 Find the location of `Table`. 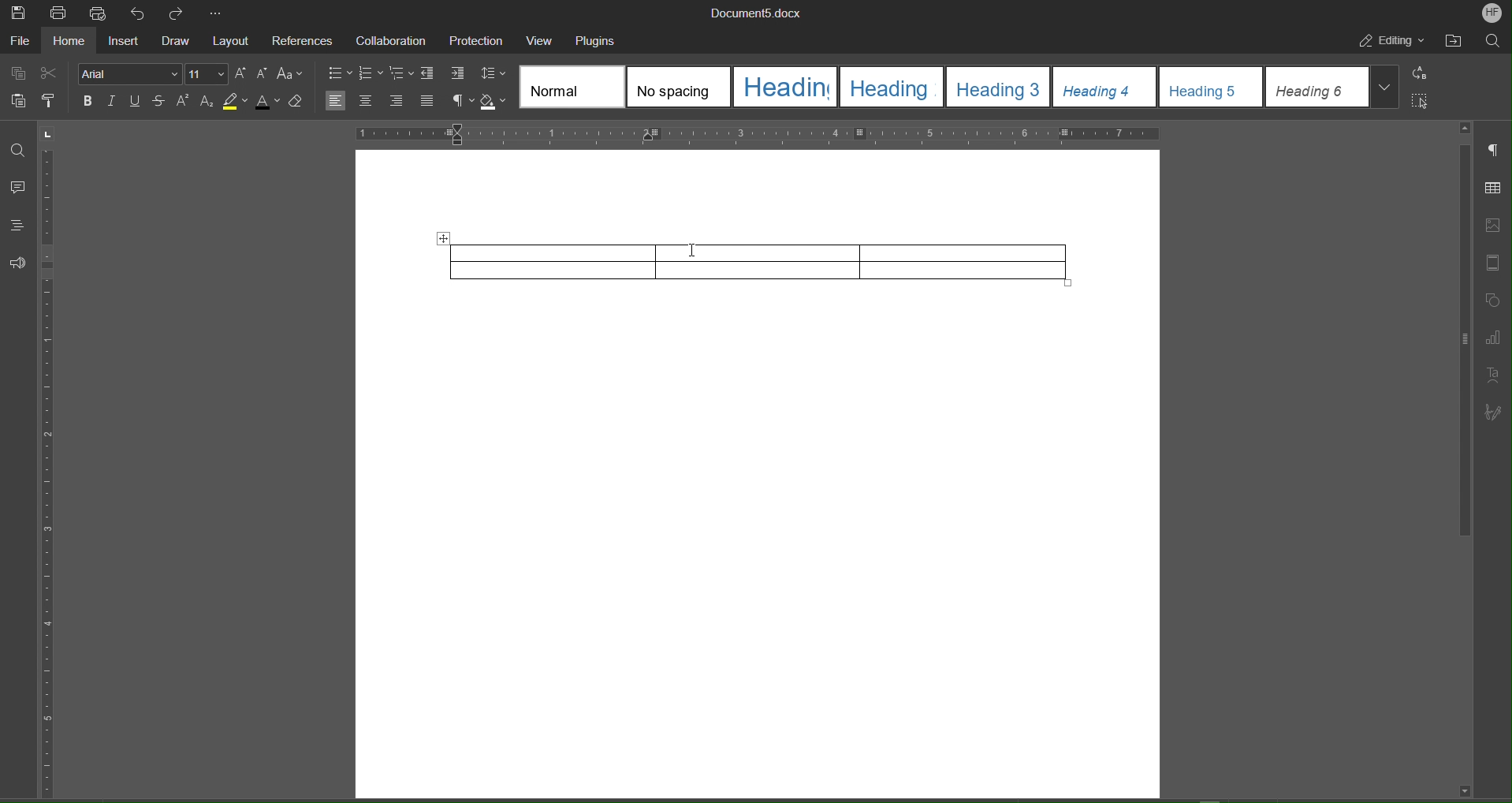

Table is located at coordinates (769, 260).